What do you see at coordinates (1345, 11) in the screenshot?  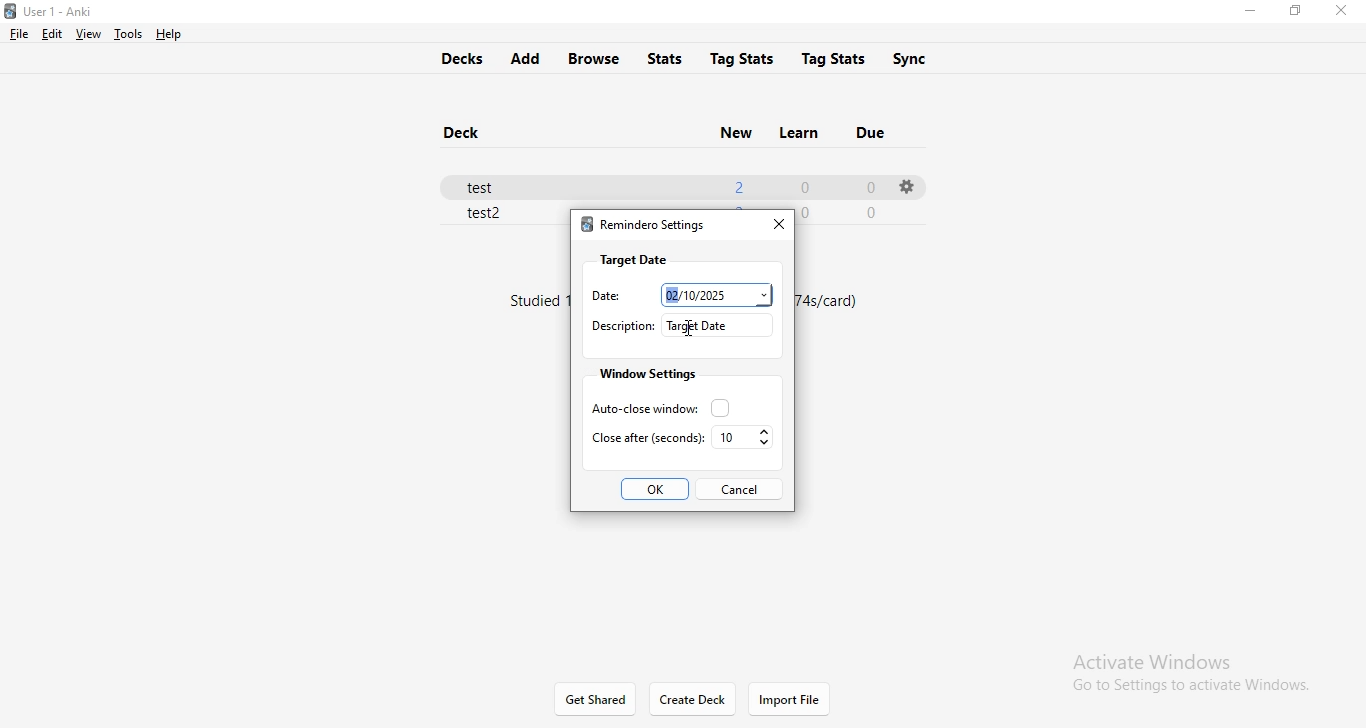 I see `close` at bounding box center [1345, 11].